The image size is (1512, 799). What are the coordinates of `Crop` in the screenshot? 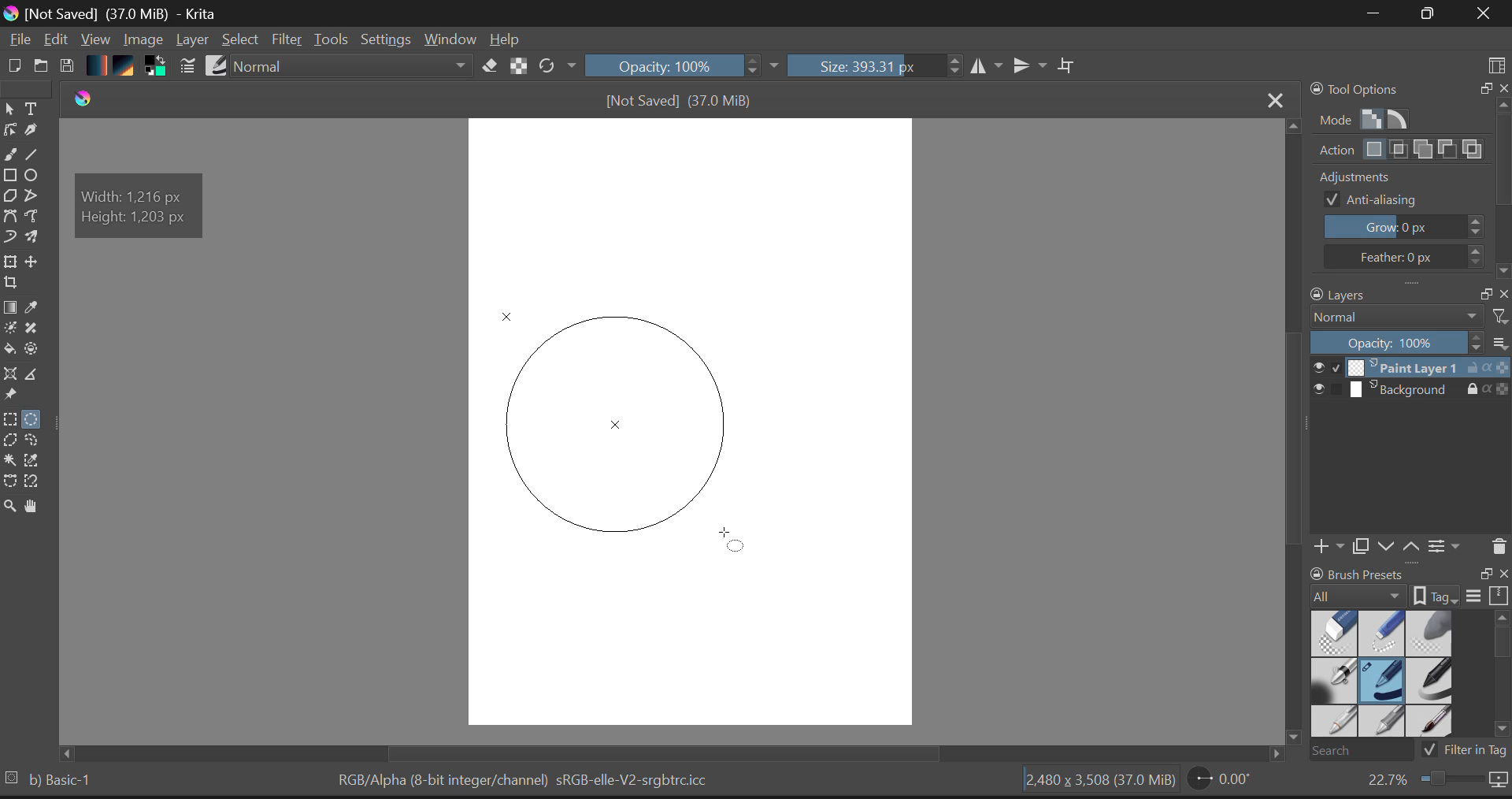 It's located at (9, 287).